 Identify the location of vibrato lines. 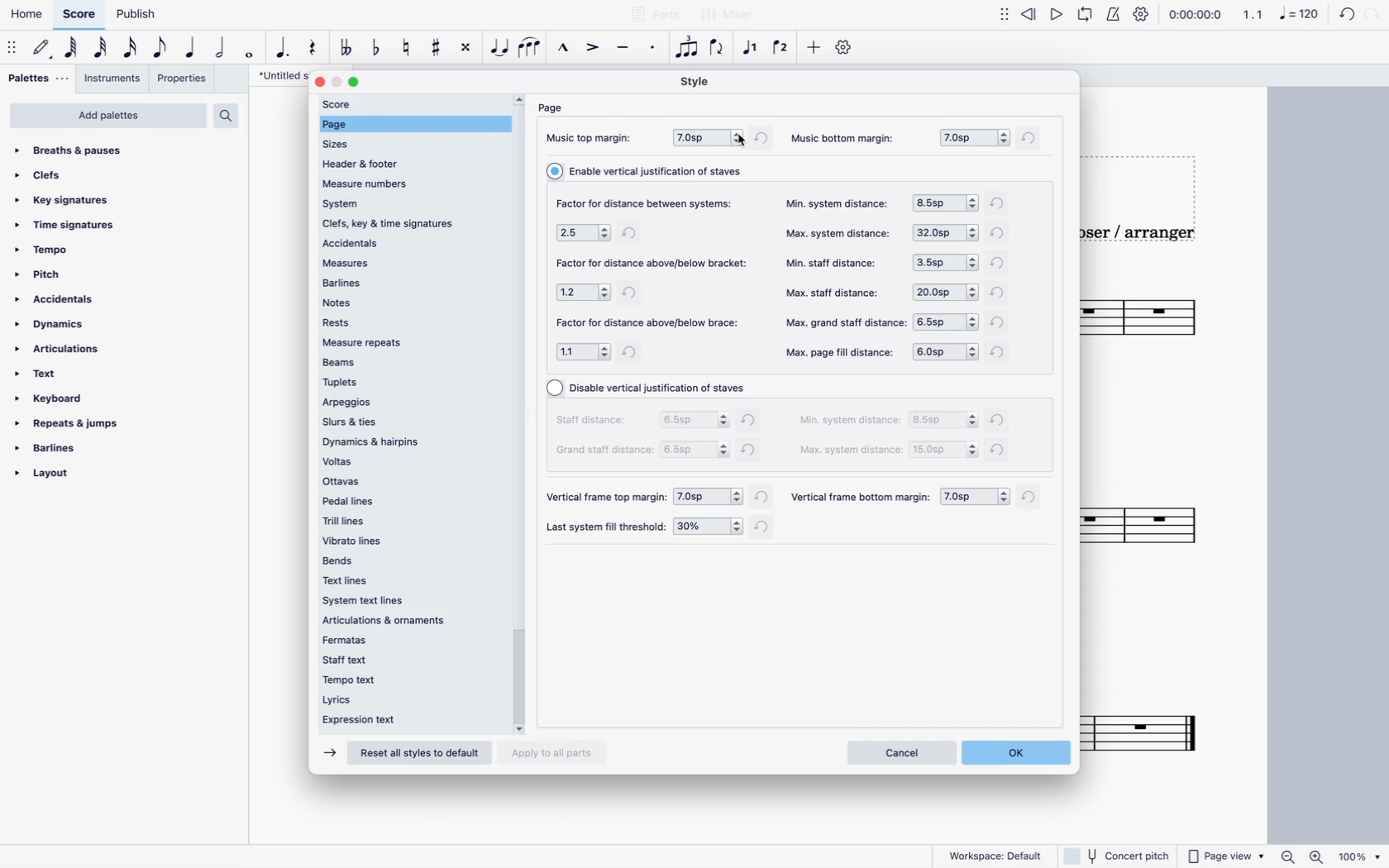
(403, 540).